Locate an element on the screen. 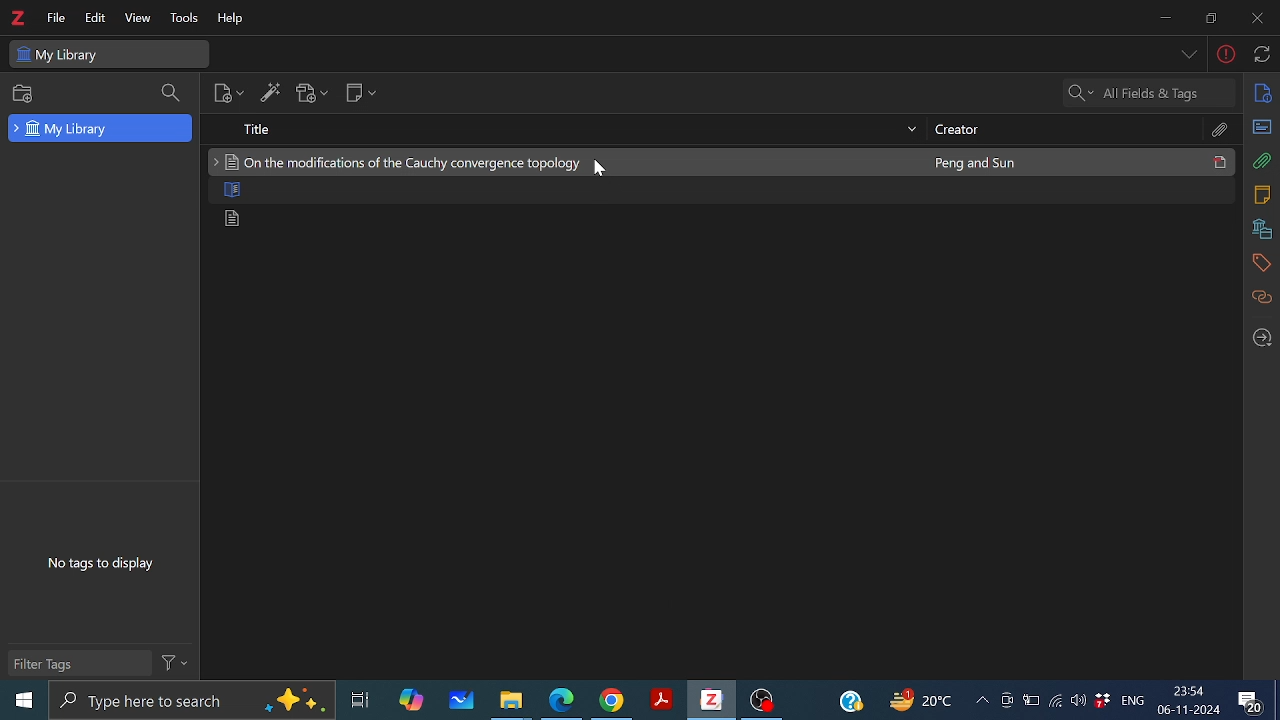  New items is located at coordinates (231, 94).